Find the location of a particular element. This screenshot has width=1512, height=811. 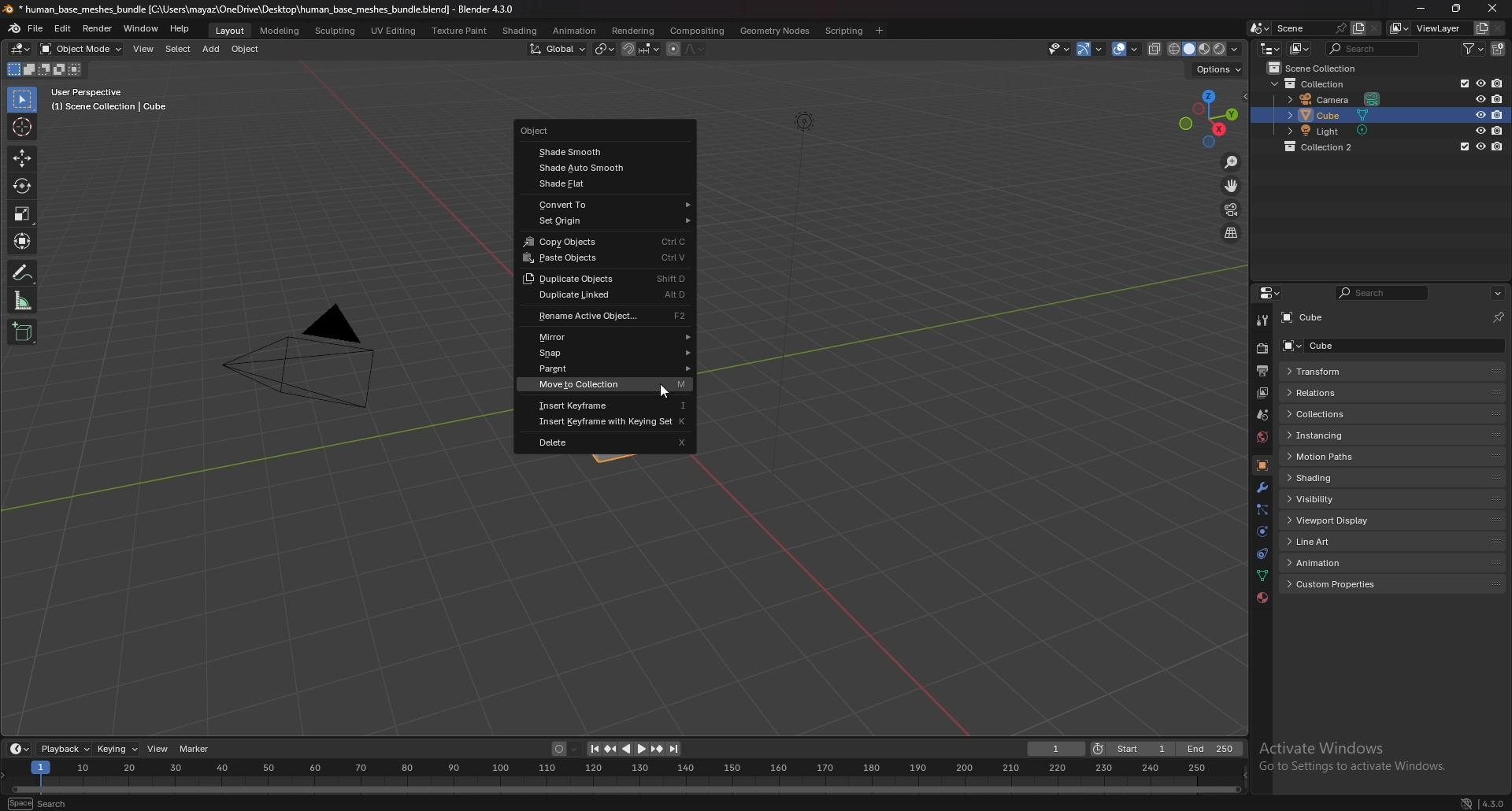

visibility is located at coordinates (1332, 499).